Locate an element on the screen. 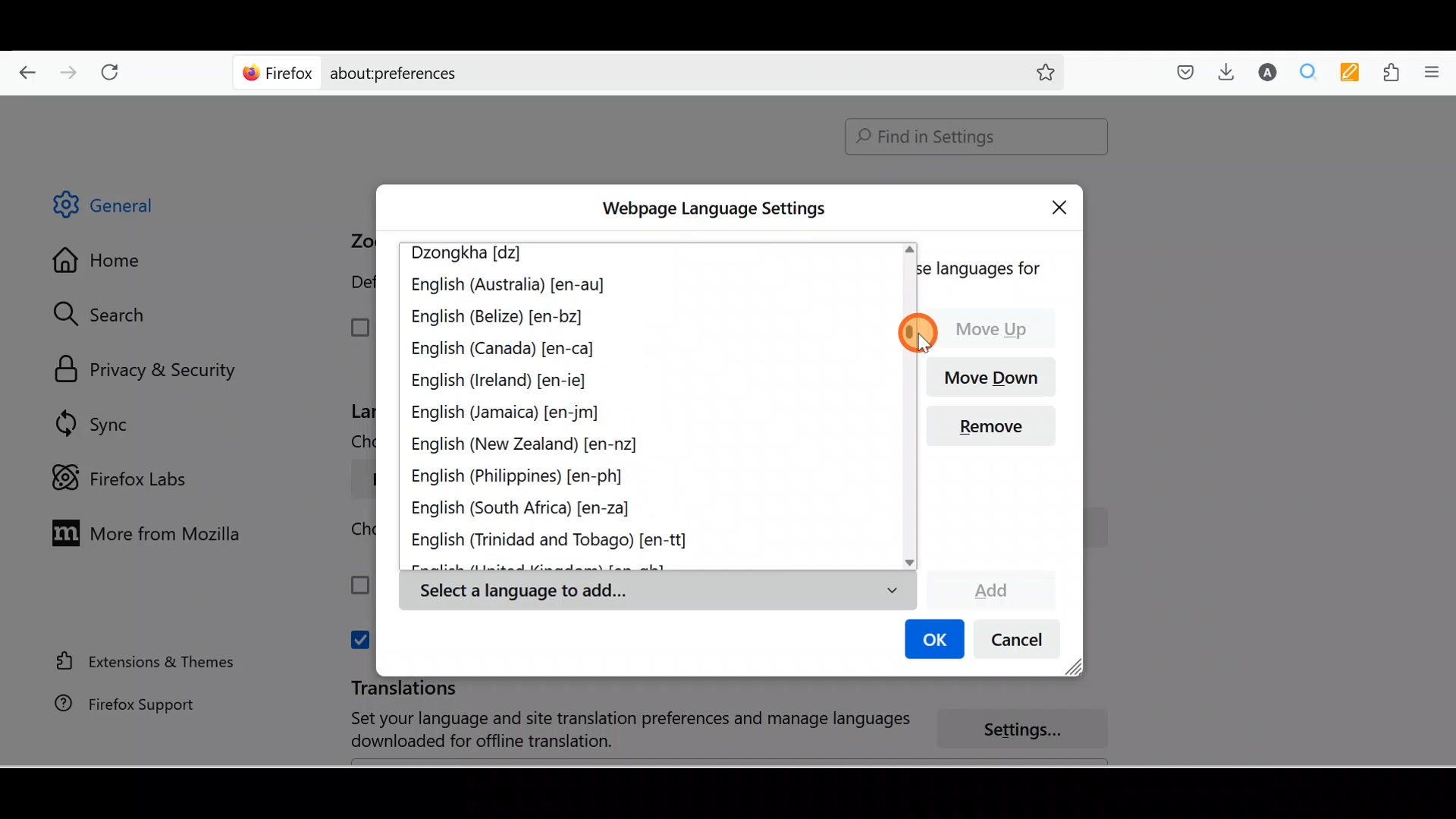 The image size is (1456, 819). Scroll bar is located at coordinates (1445, 431).